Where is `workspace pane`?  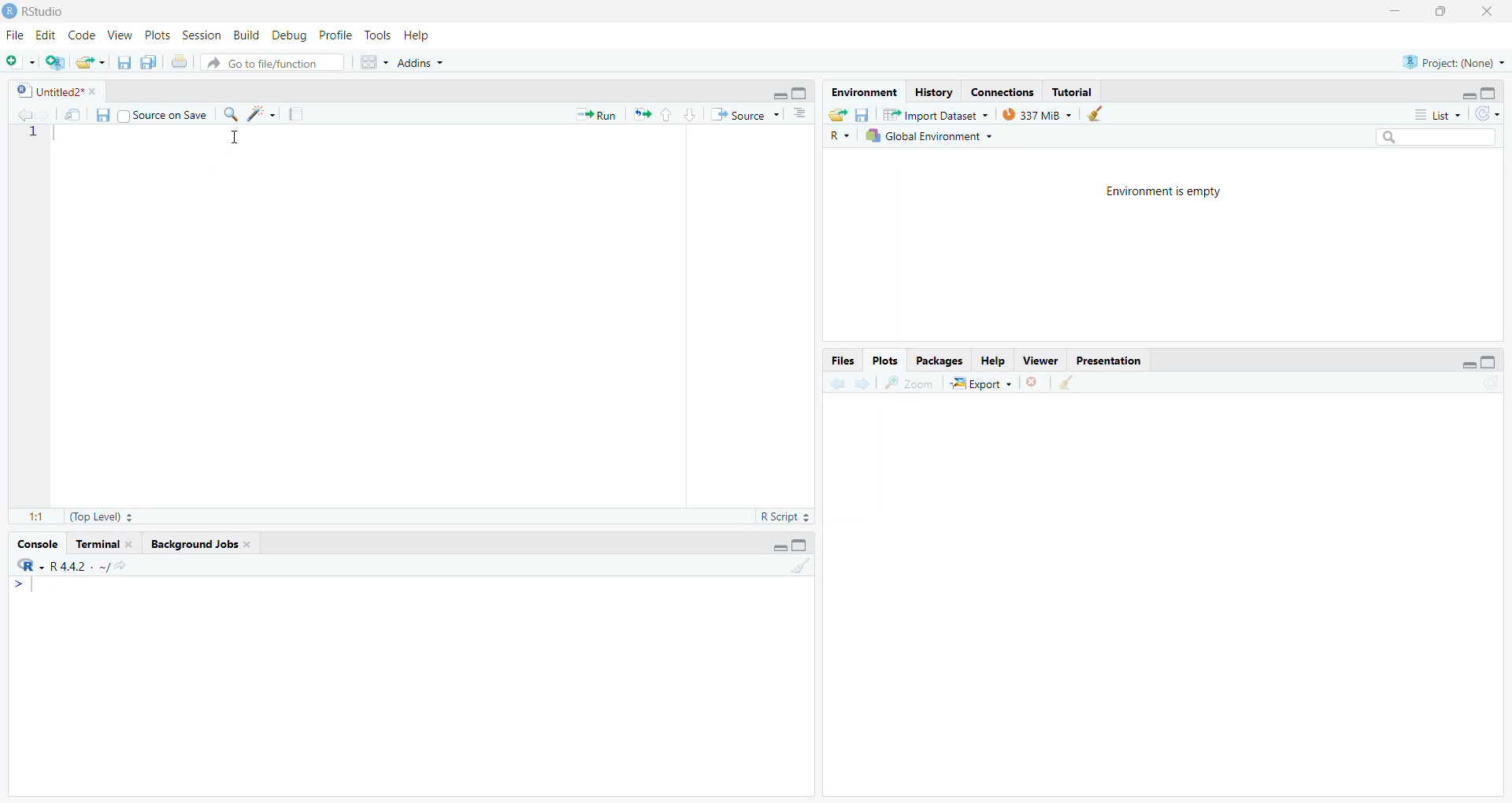 workspace pane is located at coordinates (376, 61).